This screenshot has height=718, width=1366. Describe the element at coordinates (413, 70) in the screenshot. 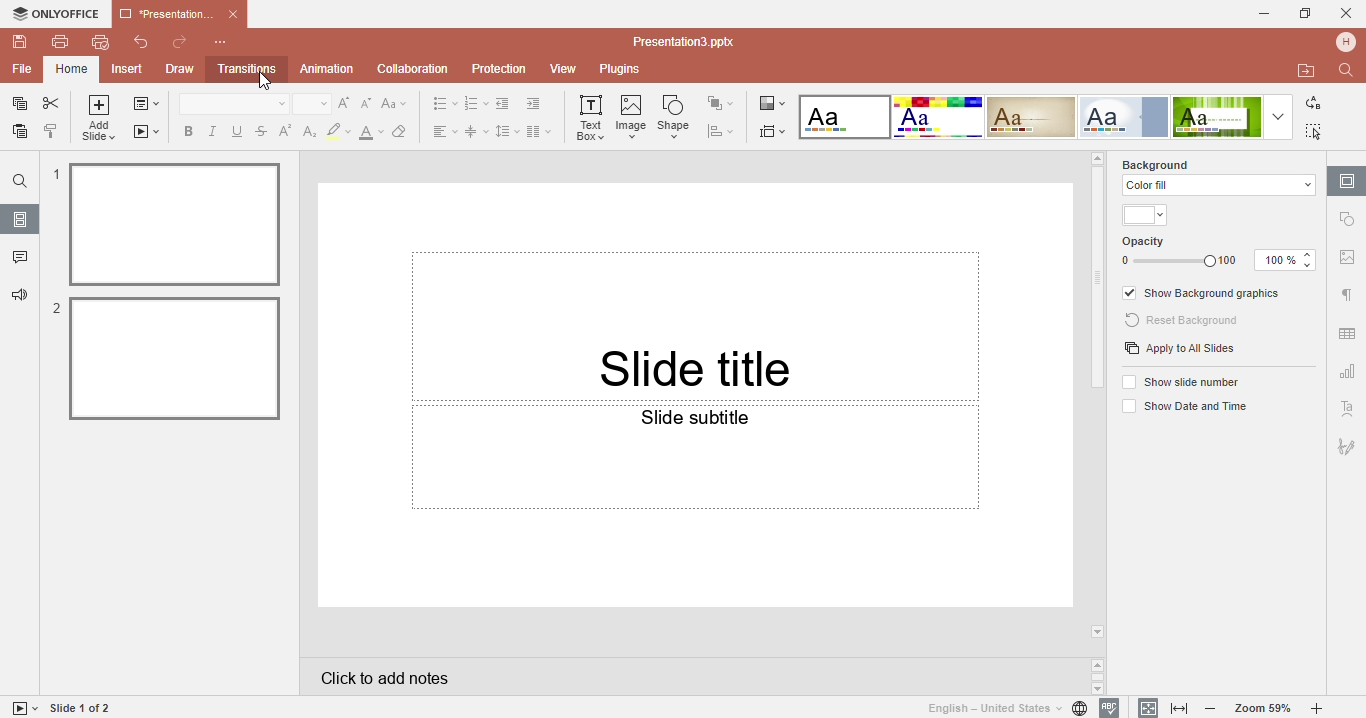

I see `Collabration` at that location.